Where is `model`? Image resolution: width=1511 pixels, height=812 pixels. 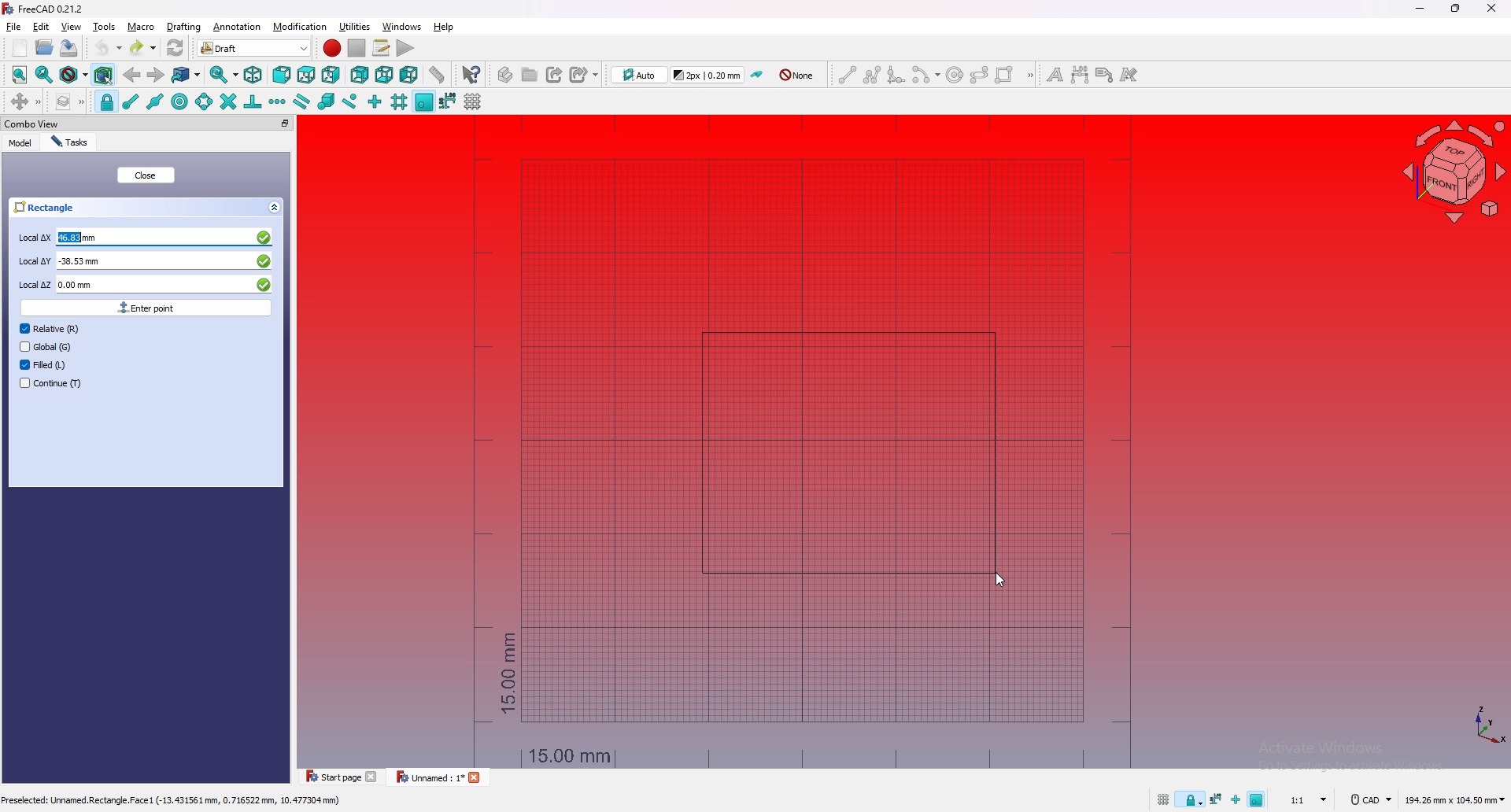
model is located at coordinates (22, 143).